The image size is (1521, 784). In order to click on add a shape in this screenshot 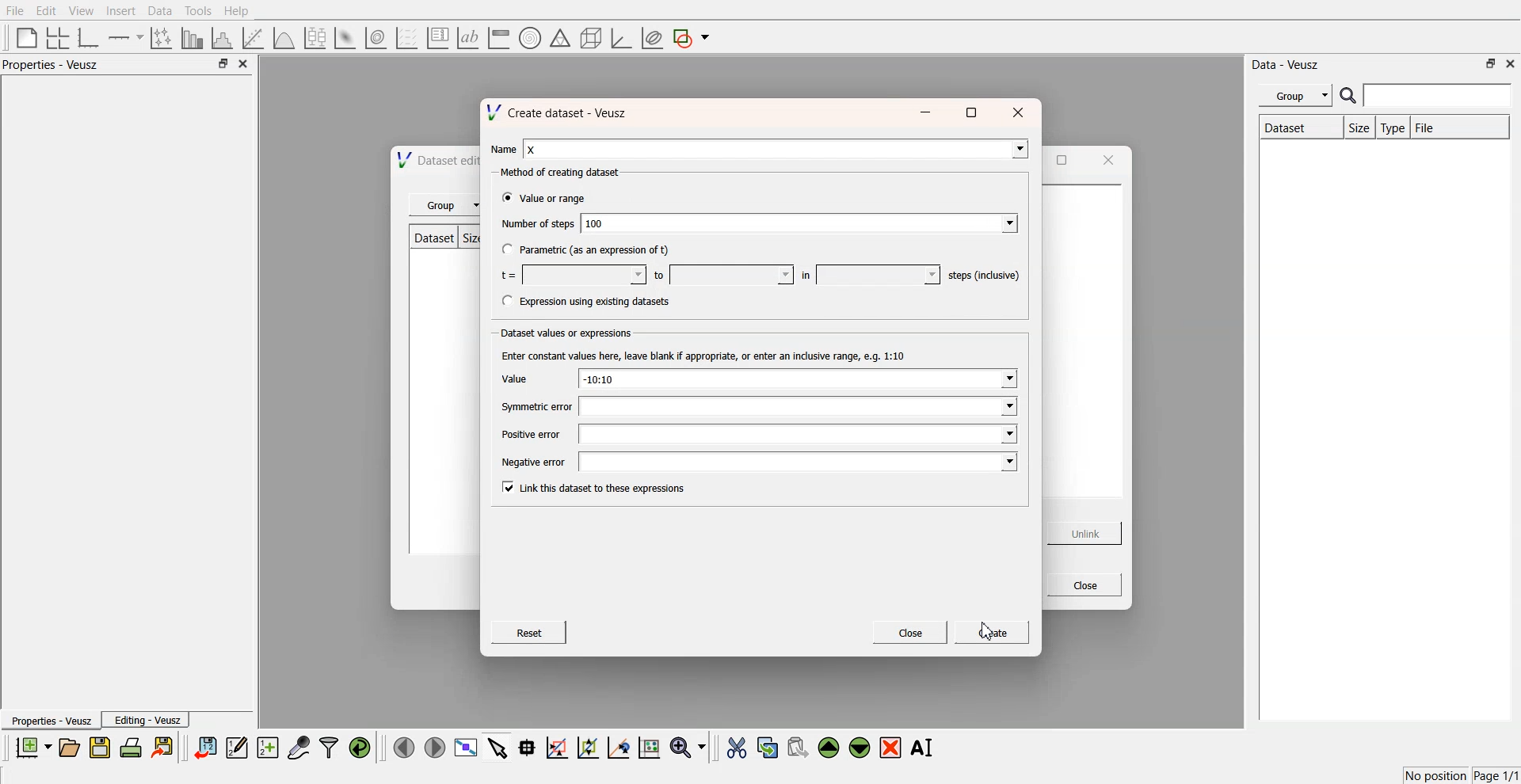, I will do `click(692, 39)`.